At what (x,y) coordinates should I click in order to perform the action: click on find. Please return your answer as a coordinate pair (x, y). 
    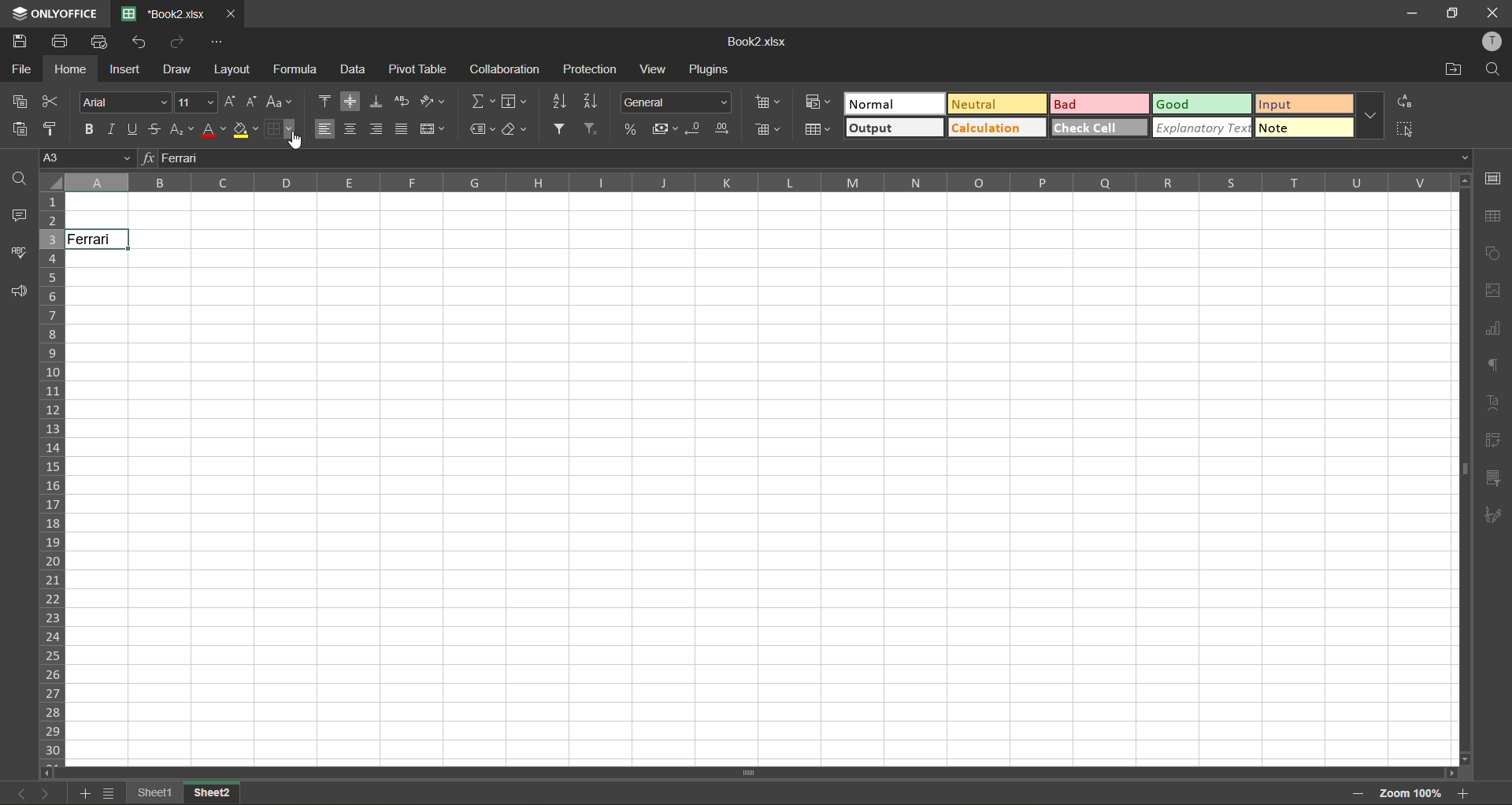
    Looking at the image, I should click on (17, 180).